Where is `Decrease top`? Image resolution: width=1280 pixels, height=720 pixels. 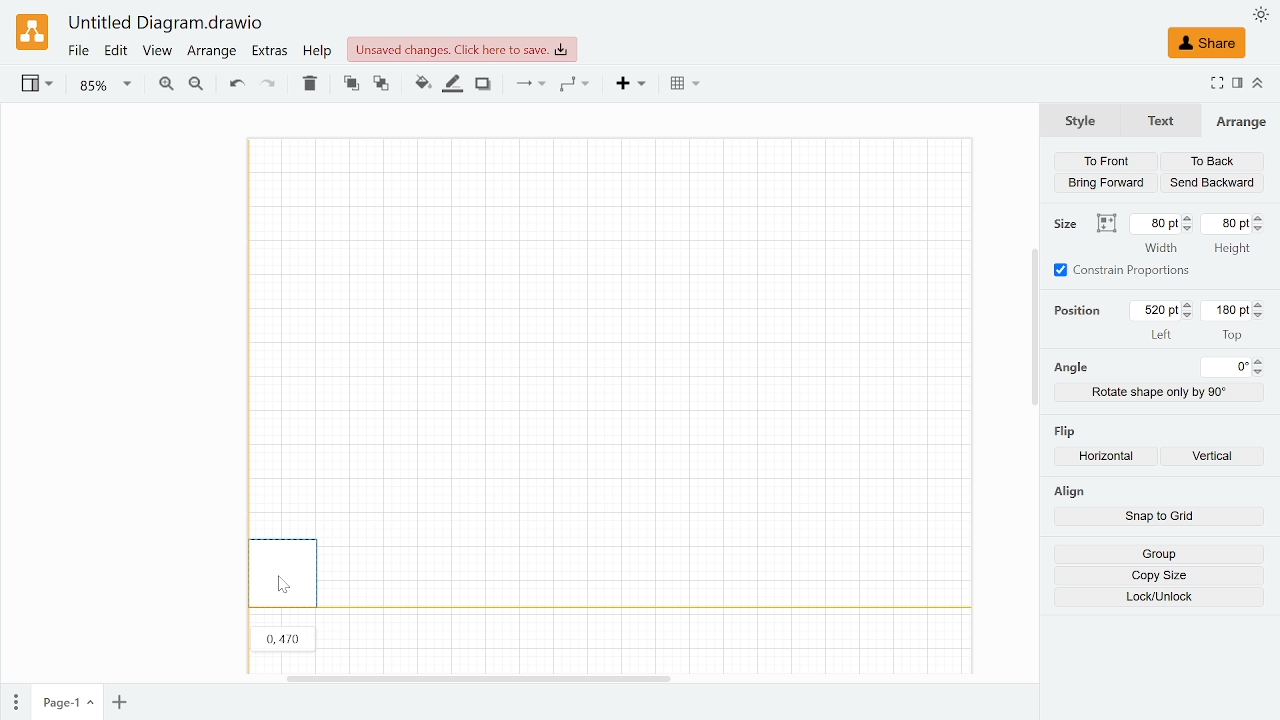
Decrease top is located at coordinates (1261, 316).